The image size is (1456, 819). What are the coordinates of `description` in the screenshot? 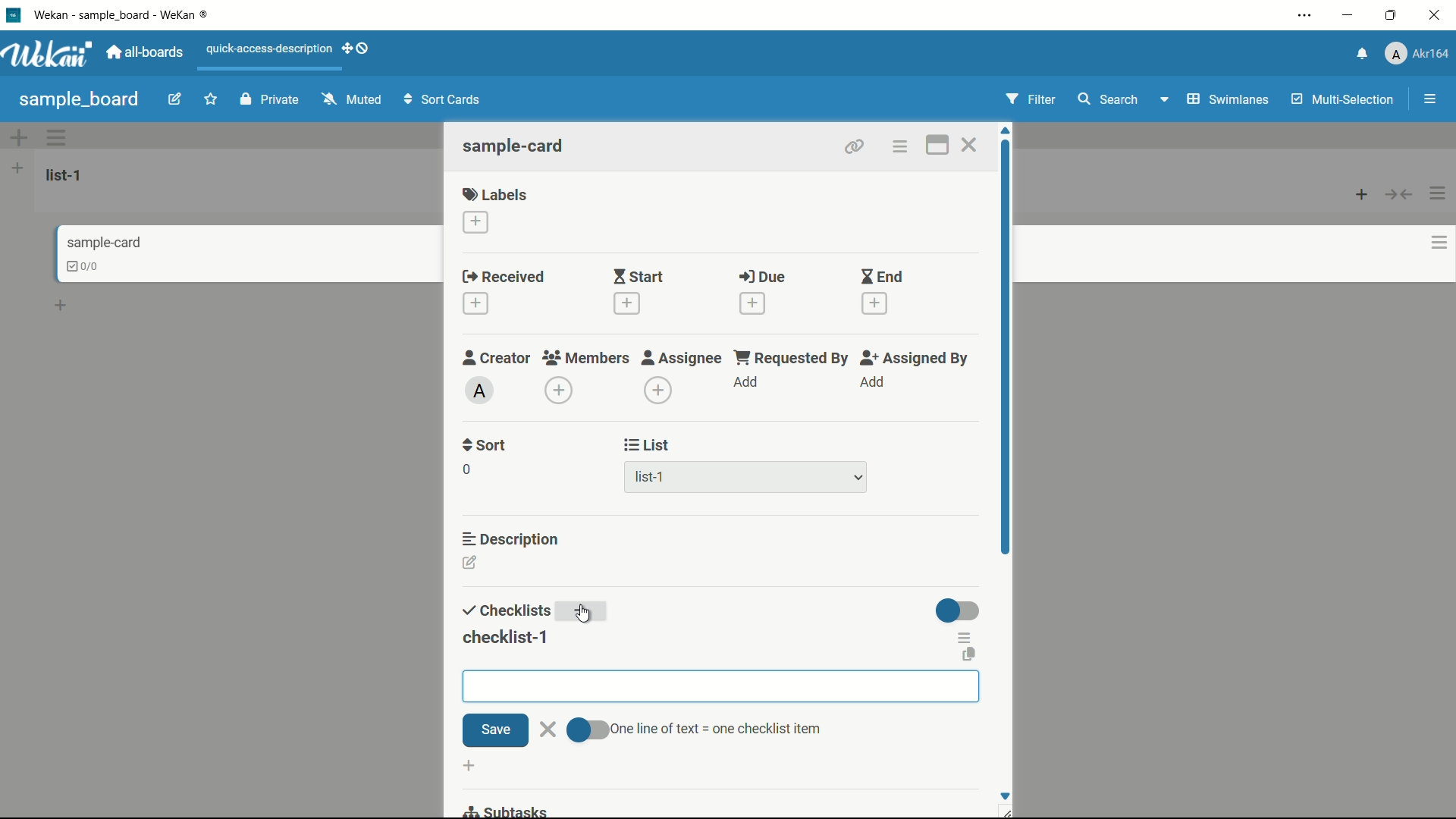 It's located at (512, 538).